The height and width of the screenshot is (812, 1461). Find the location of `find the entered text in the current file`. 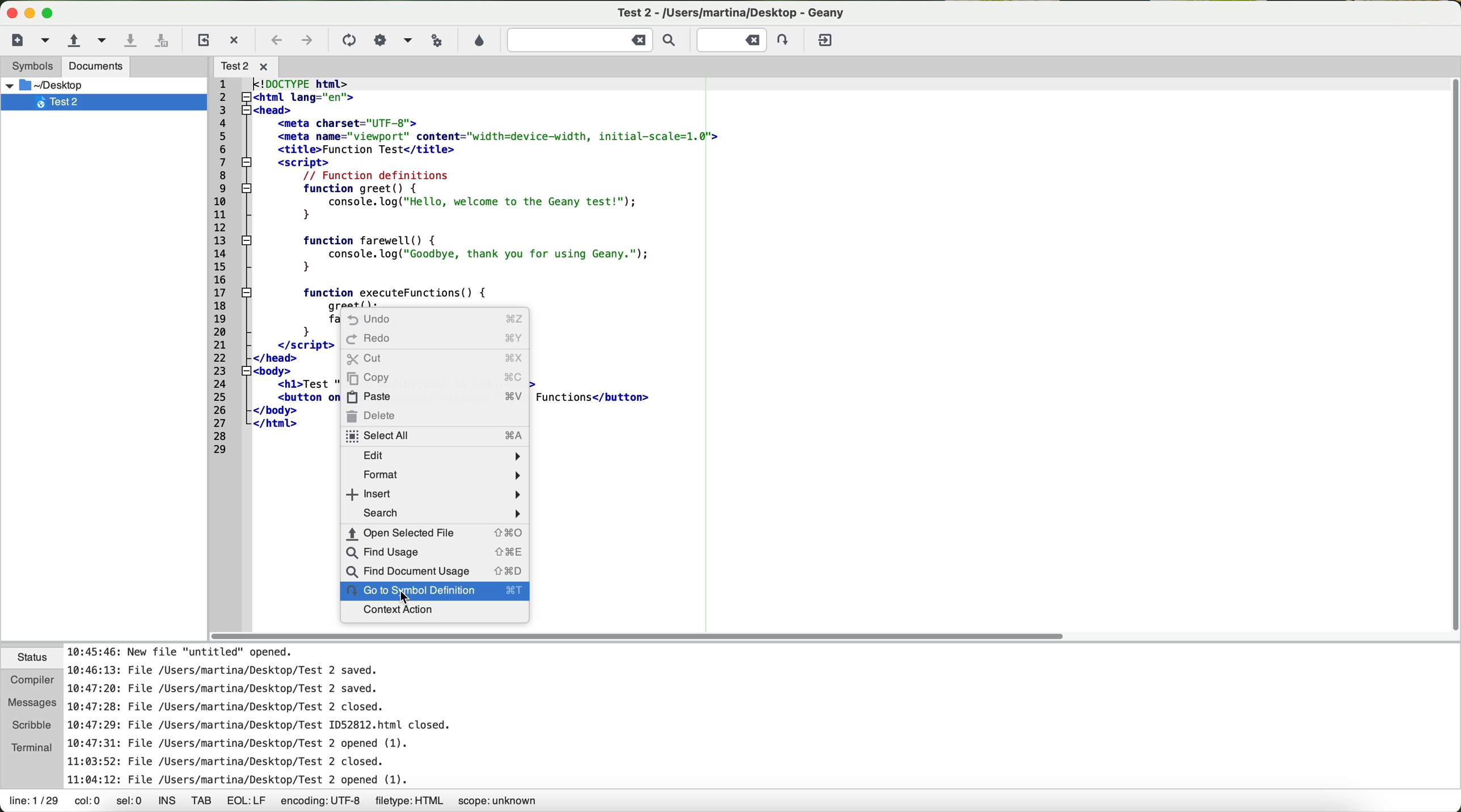

find the entered text in the current file is located at coordinates (596, 40).